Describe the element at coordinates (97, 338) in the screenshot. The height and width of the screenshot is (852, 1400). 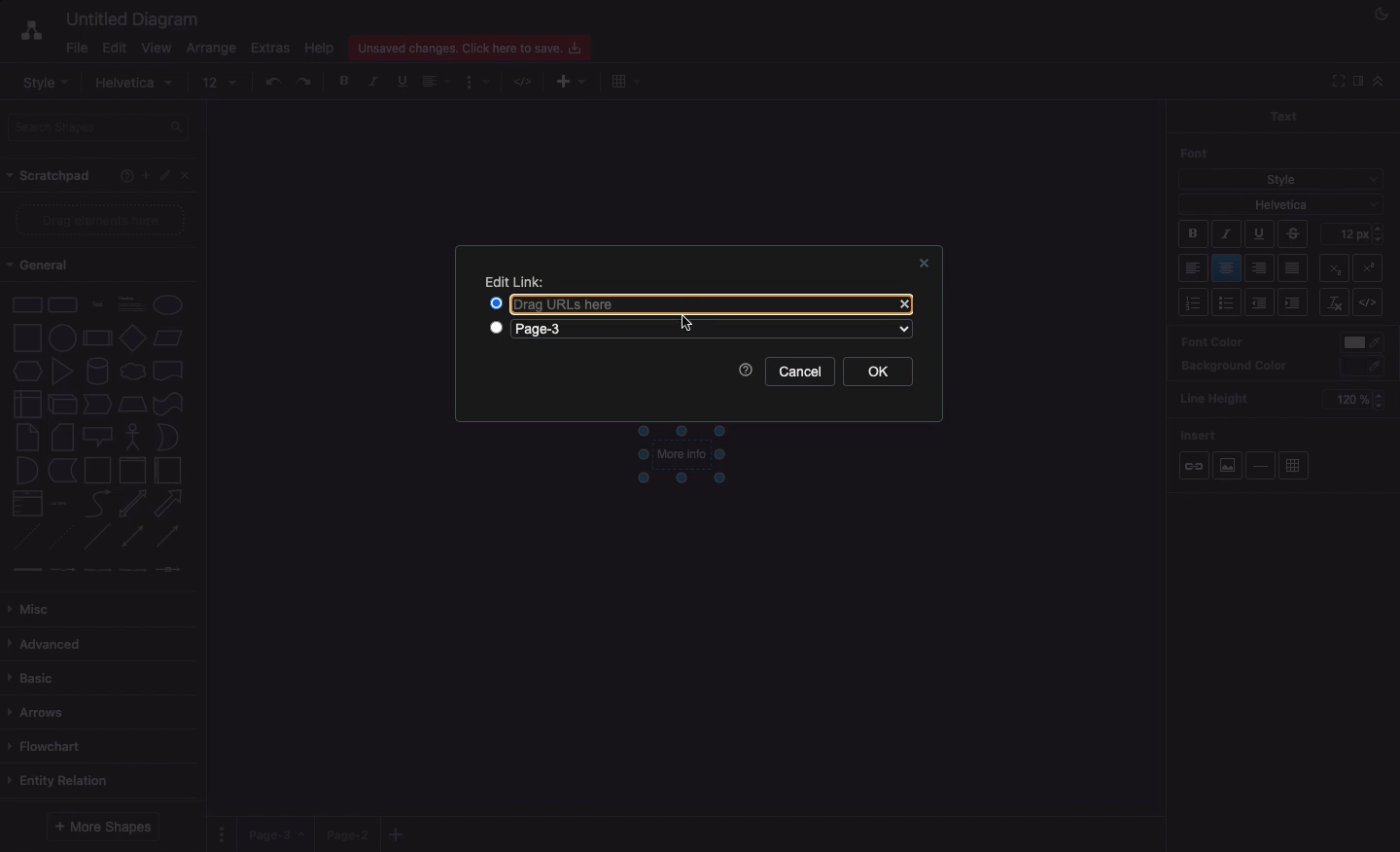
I see `process` at that location.